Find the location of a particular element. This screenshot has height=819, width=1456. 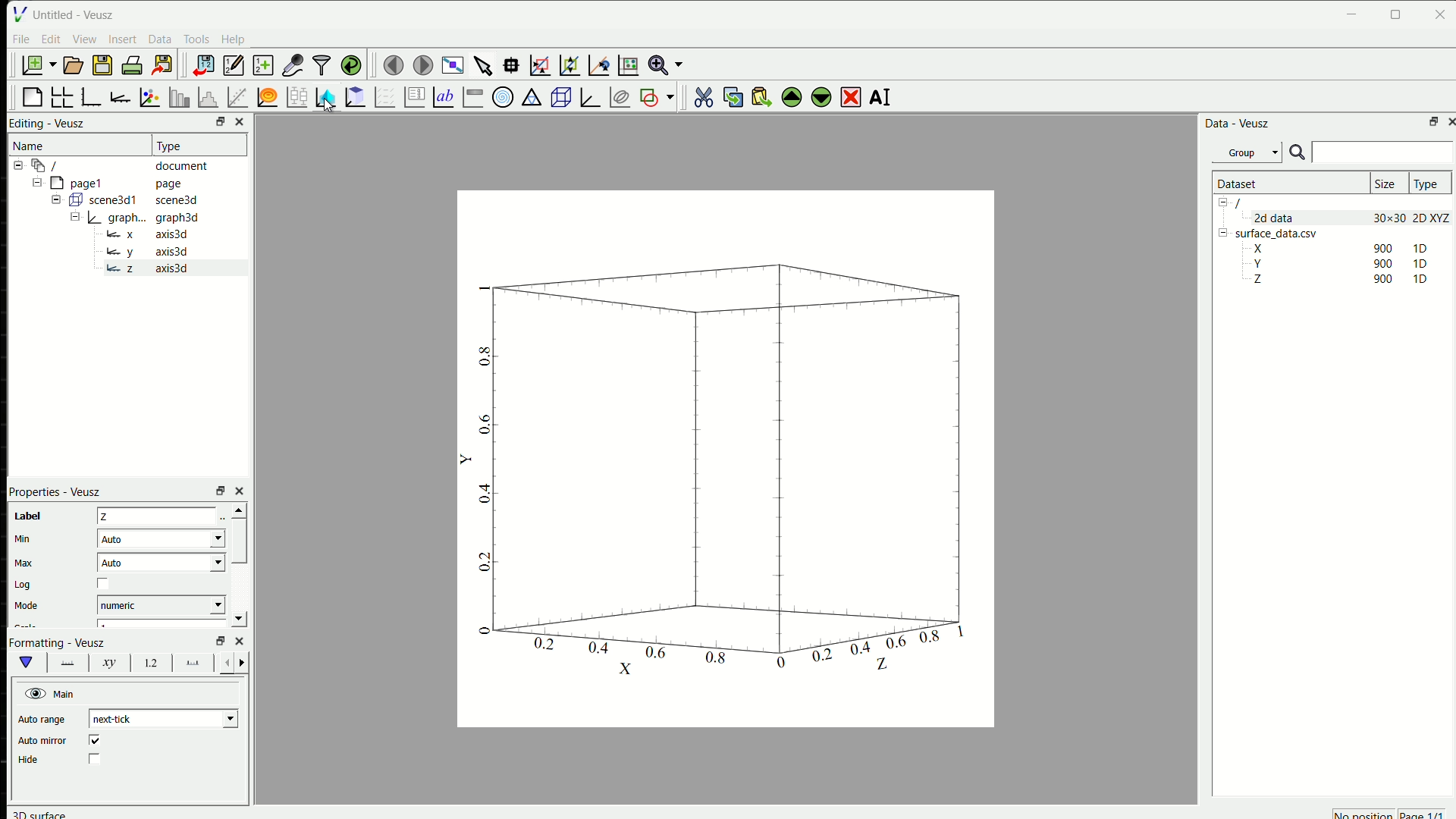

close is located at coordinates (240, 121).